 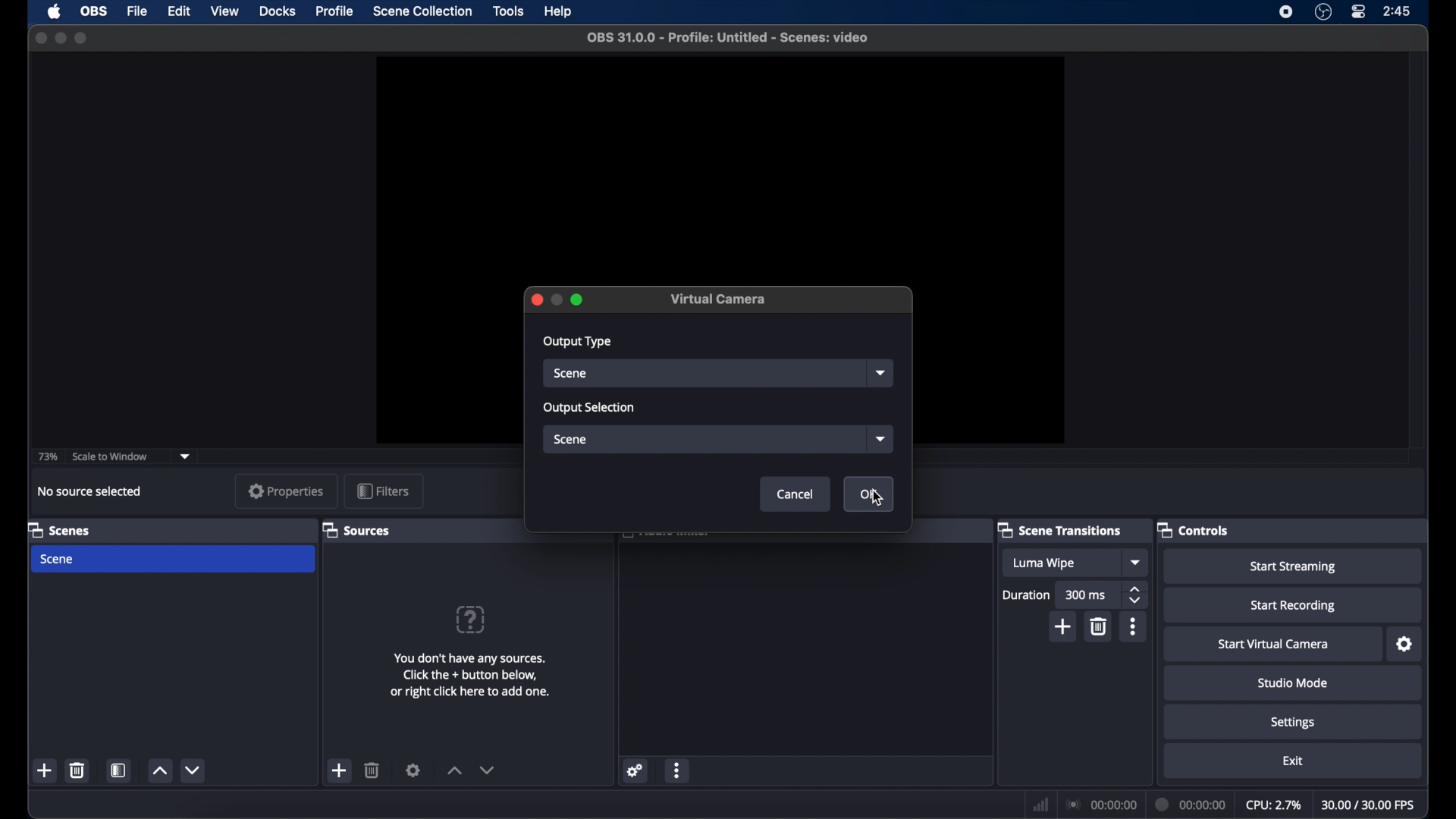 I want to click on duration, so click(x=1027, y=596).